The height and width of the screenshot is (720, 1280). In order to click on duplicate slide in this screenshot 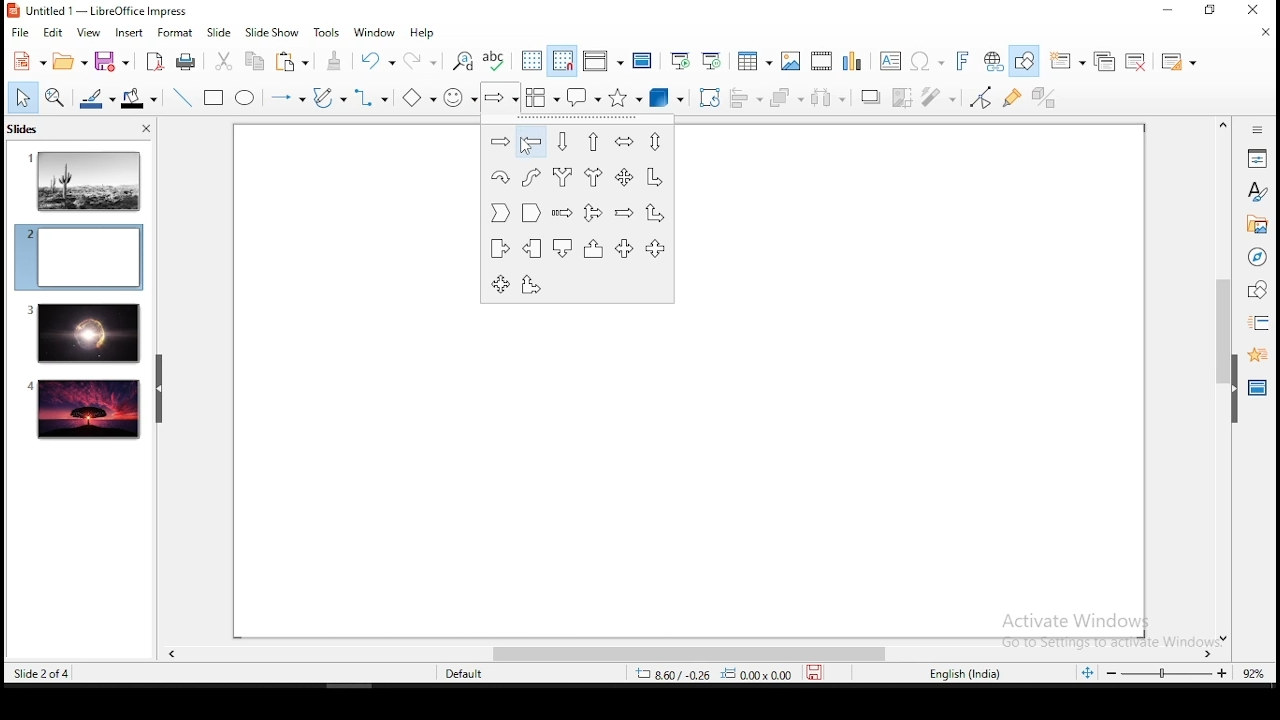, I will do `click(1107, 62)`.